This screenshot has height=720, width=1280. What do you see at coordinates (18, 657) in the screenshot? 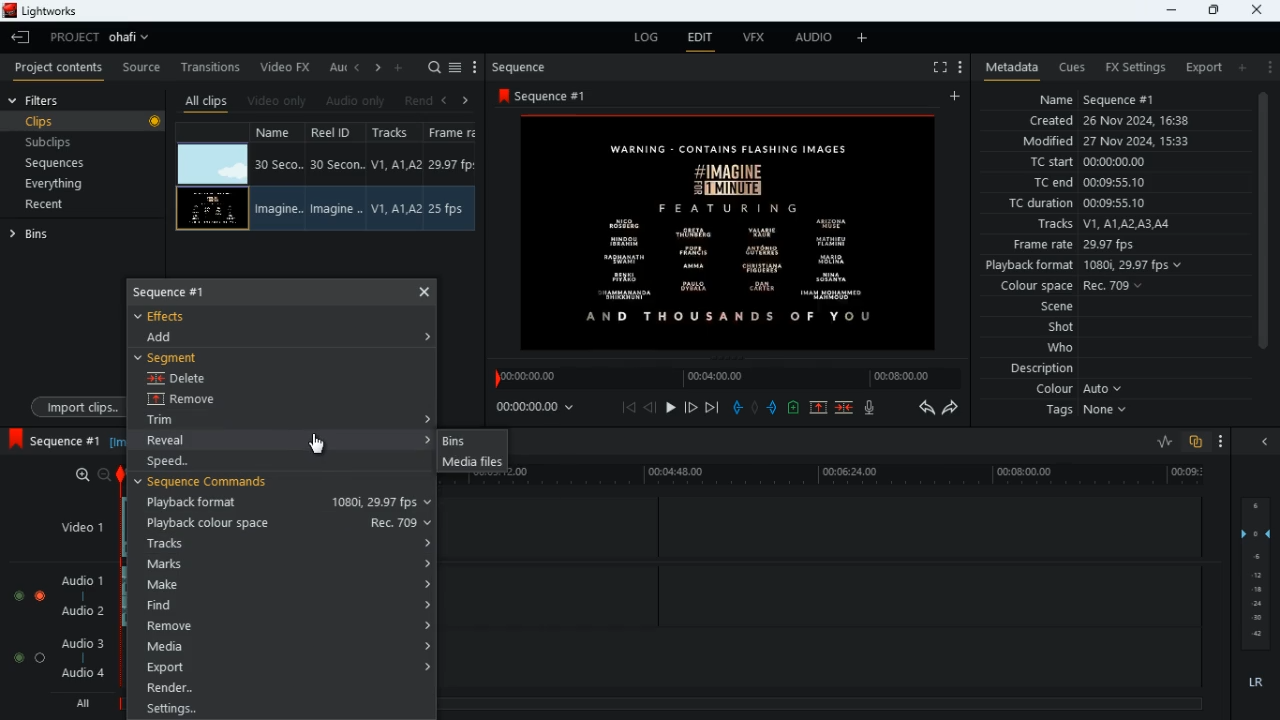
I see `toggle` at bounding box center [18, 657].